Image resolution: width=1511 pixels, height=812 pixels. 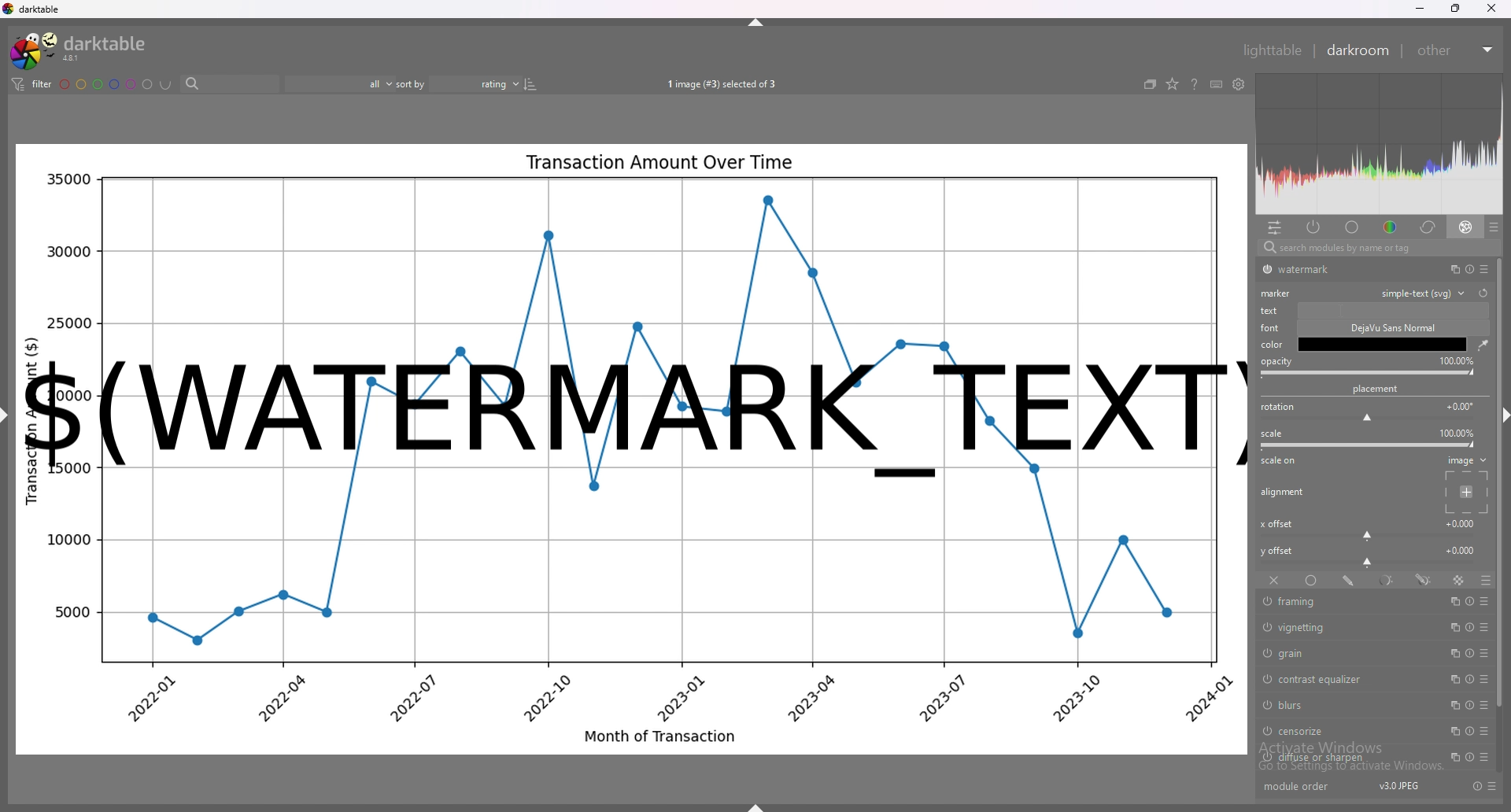 What do you see at coordinates (1456, 433) in the screenshot?
I see `scale percentage` at bounding box center [1456, 433].